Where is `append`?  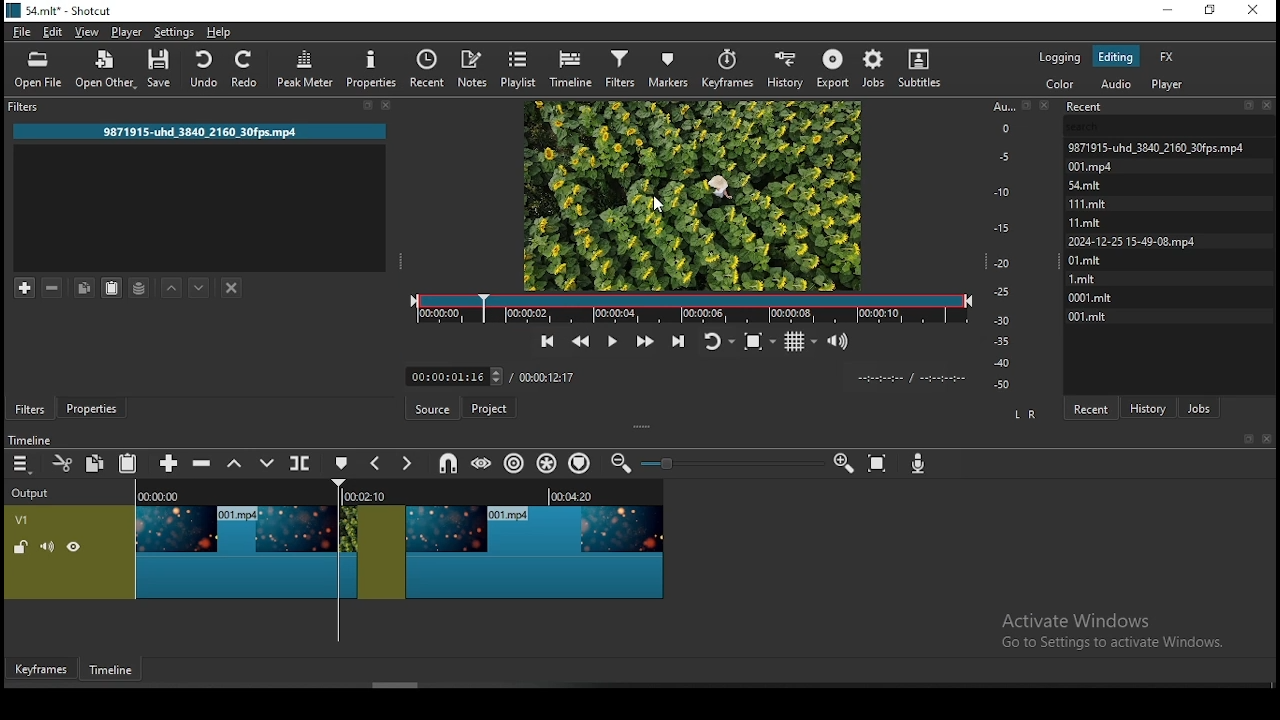 append is located at coordinates (169, 463).